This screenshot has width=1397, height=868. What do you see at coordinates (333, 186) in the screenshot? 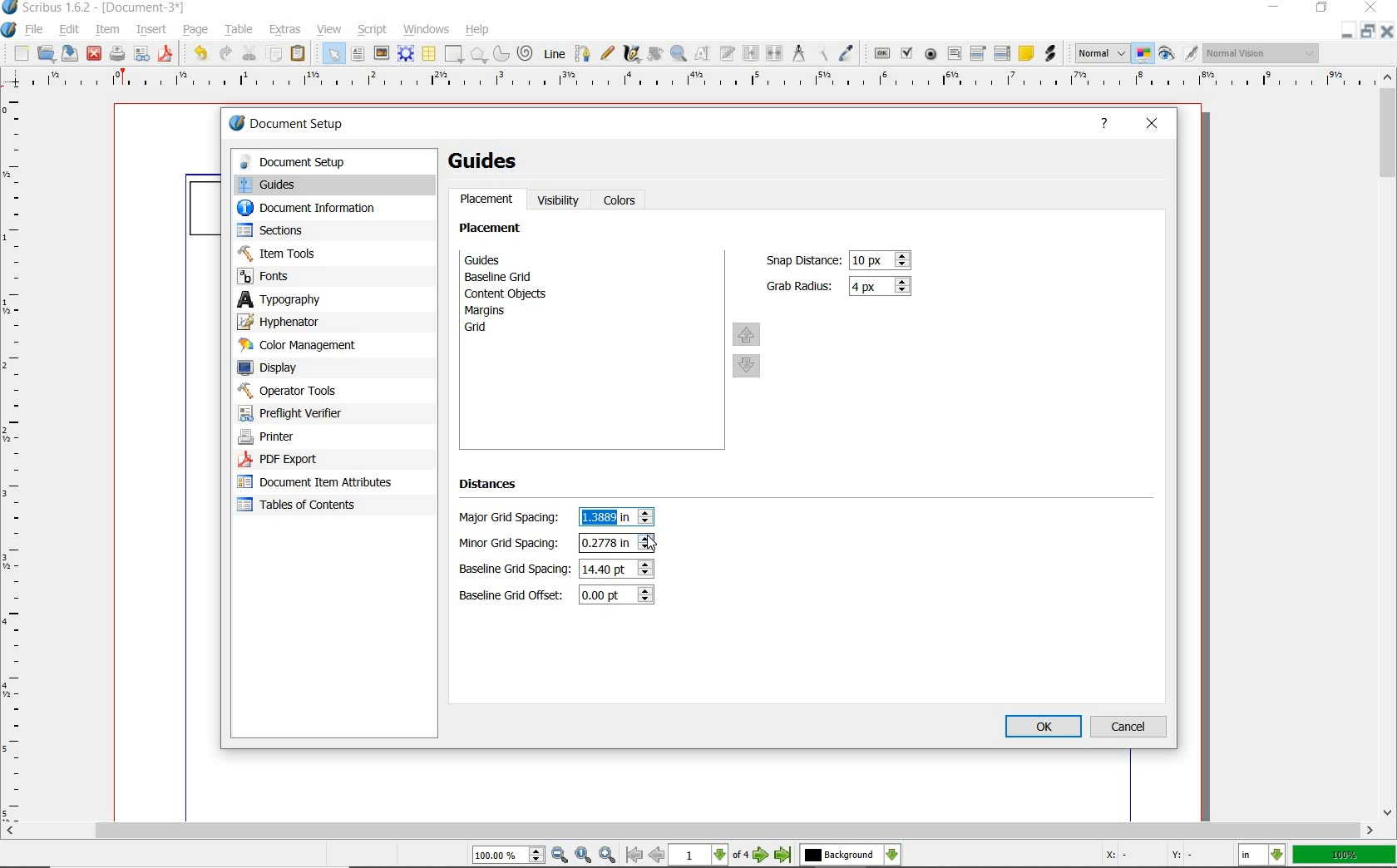
I see `guides` at bounding box center [333, 186].